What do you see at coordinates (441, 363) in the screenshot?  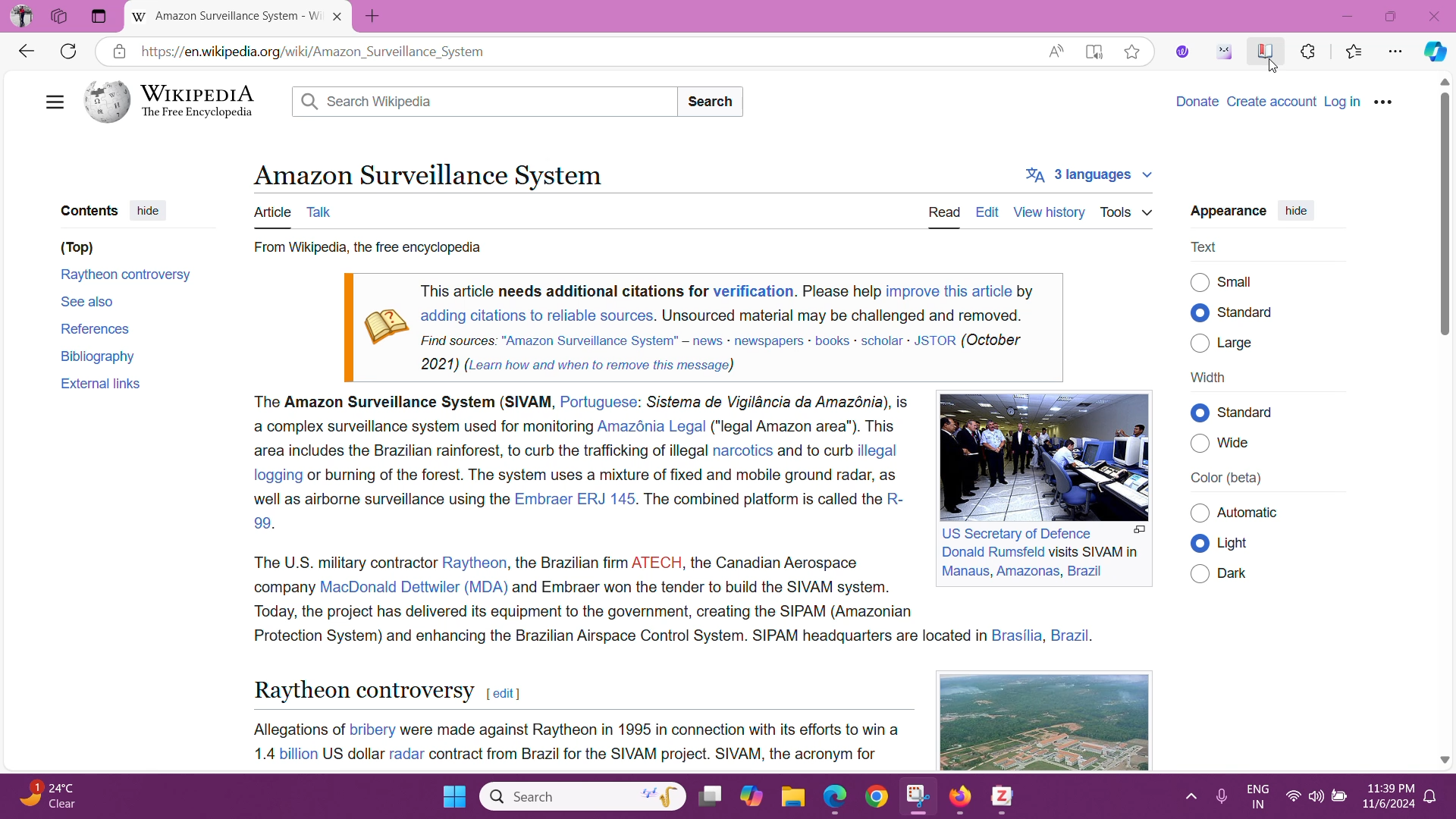 I see `2021)` at bounding box center [441, 363].